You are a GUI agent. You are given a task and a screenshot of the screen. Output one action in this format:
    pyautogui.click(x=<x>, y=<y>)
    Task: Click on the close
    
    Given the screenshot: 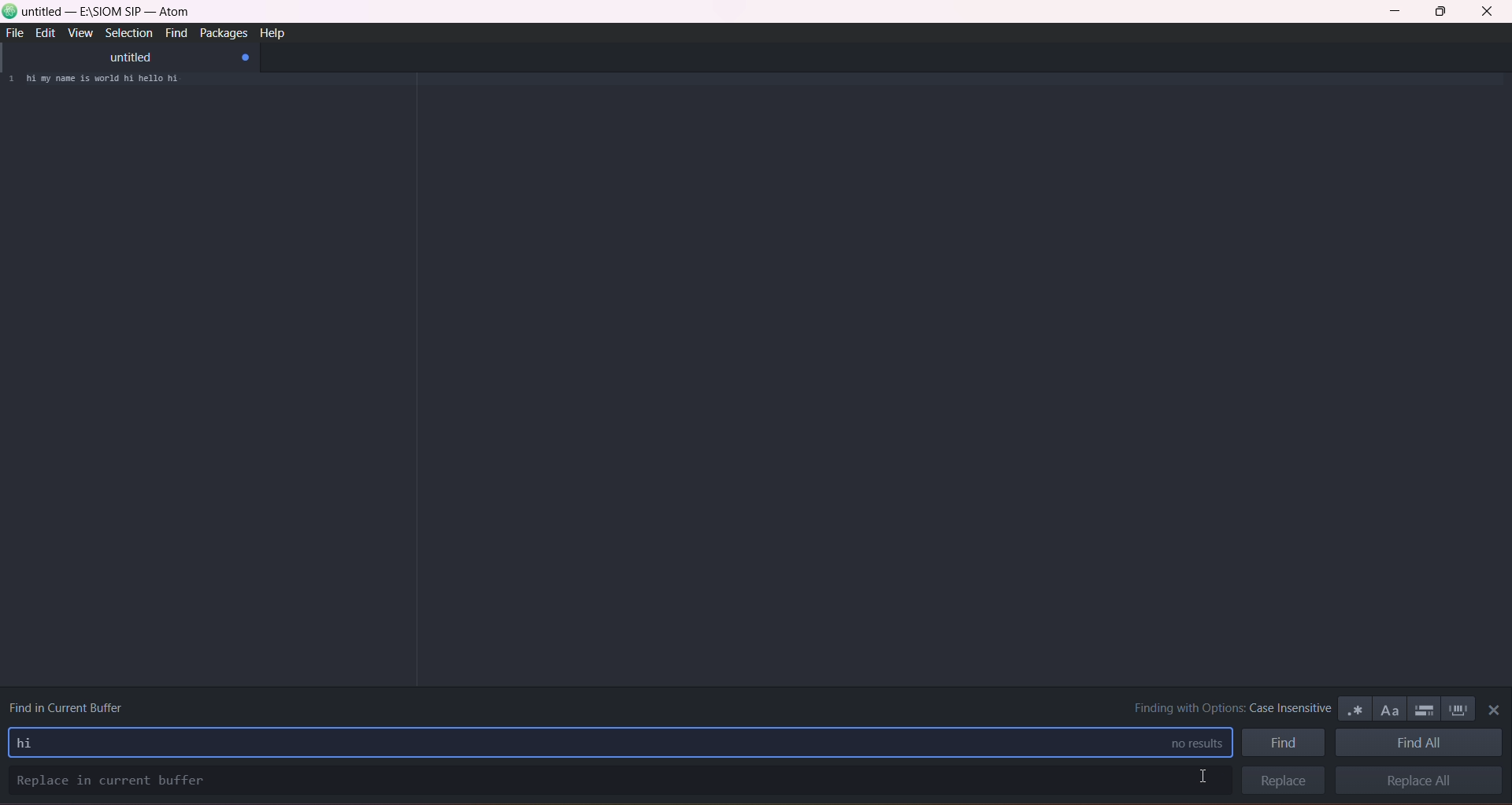 What is the action you would take?
    pyautogui.click(x=1487, y=13)
    